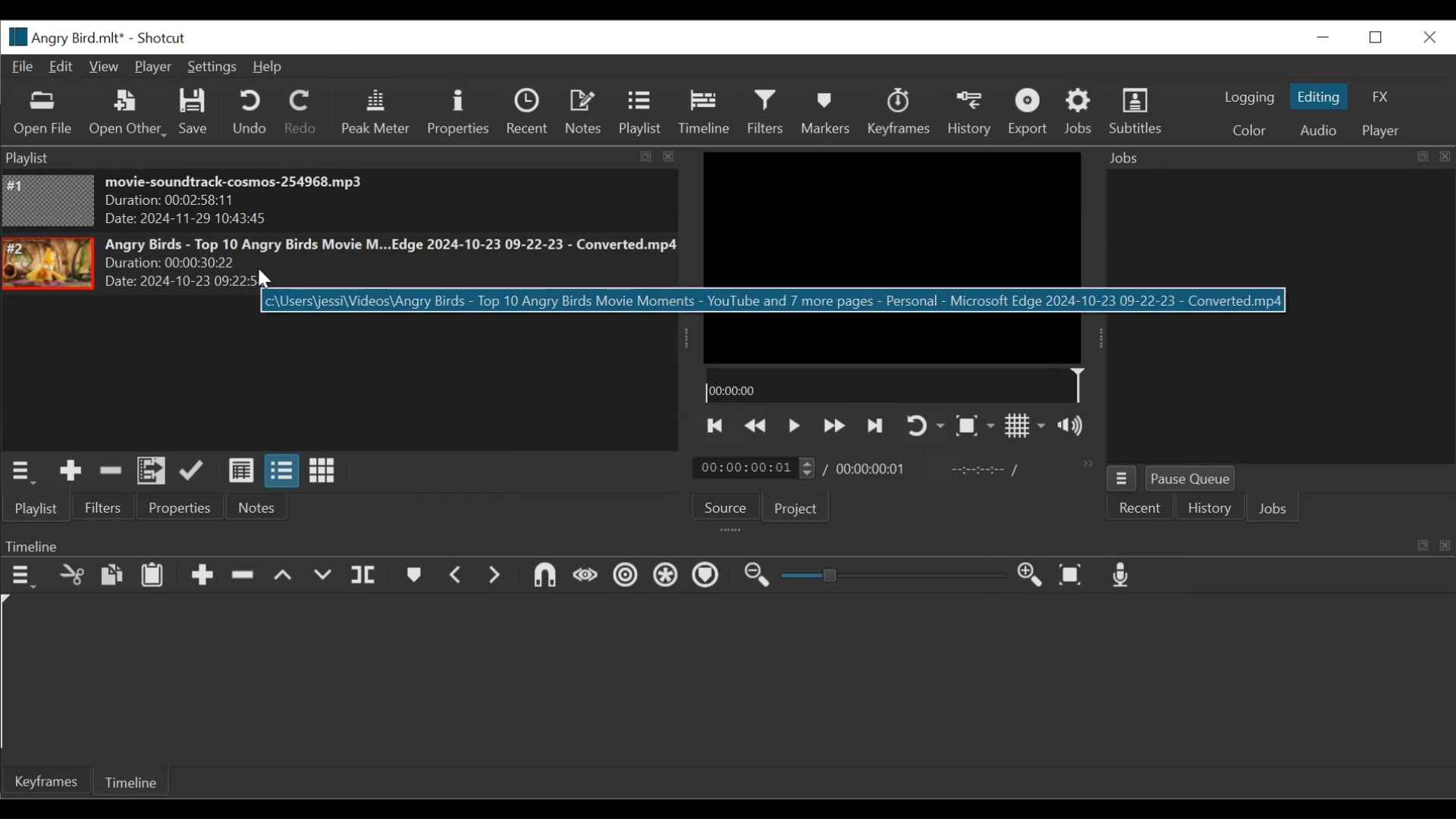 Image resolution: width=1456 pixels, height=819 pixels. What do you see at coordinates (717, 426) in the screenshot?
I see `Skip to the next point` at bounding box center [717, 426].